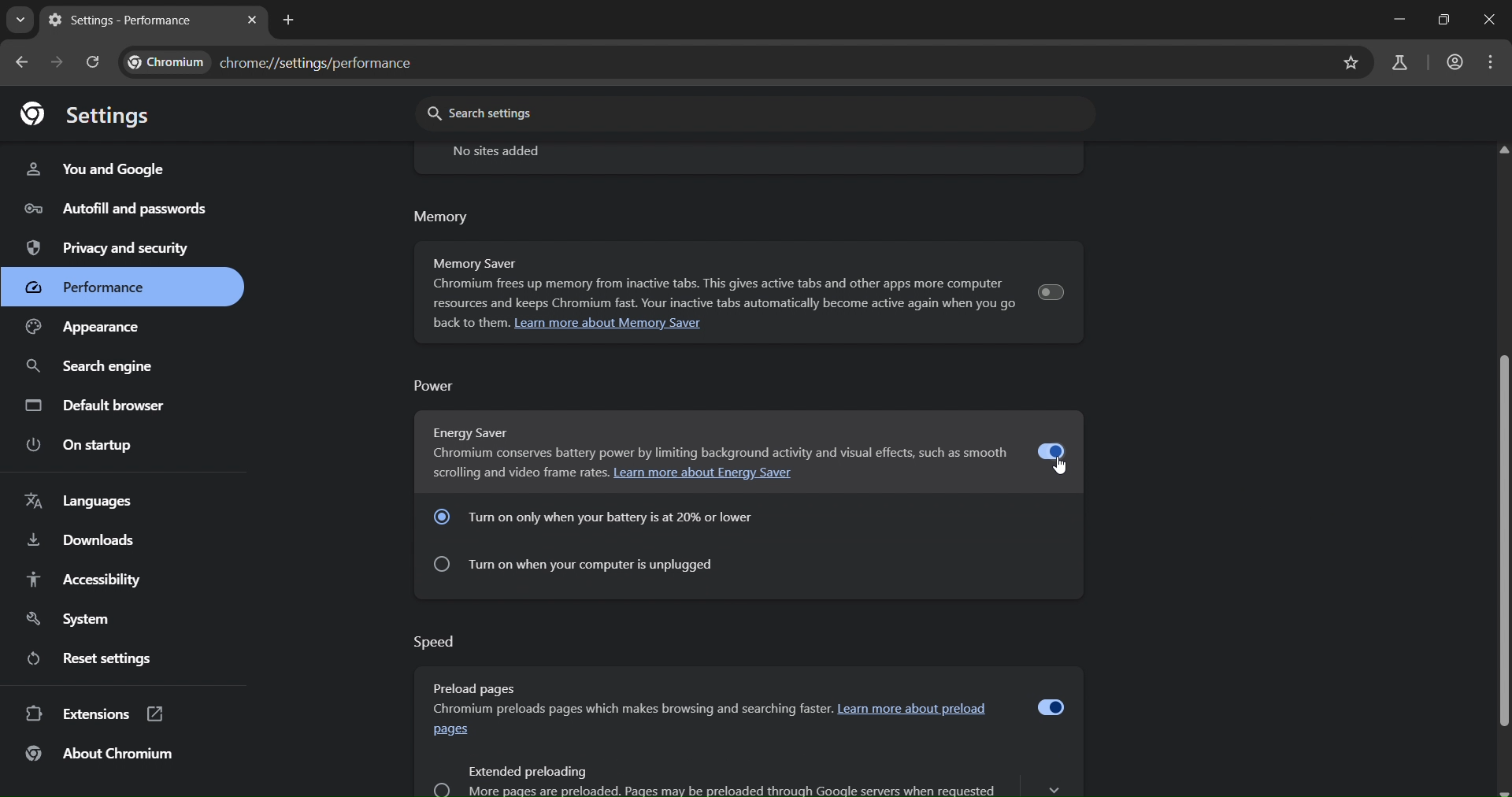  What do you see at coordinates (721, 284) in the screenshot?
I see `Memory Saver Chromium frees up memory from inactive tabs. This gives active tabs and other apps more computerresources and keeps Chromium fast. Your inactive tabs automatically become active again when you go` at bounding box center [721, 284].